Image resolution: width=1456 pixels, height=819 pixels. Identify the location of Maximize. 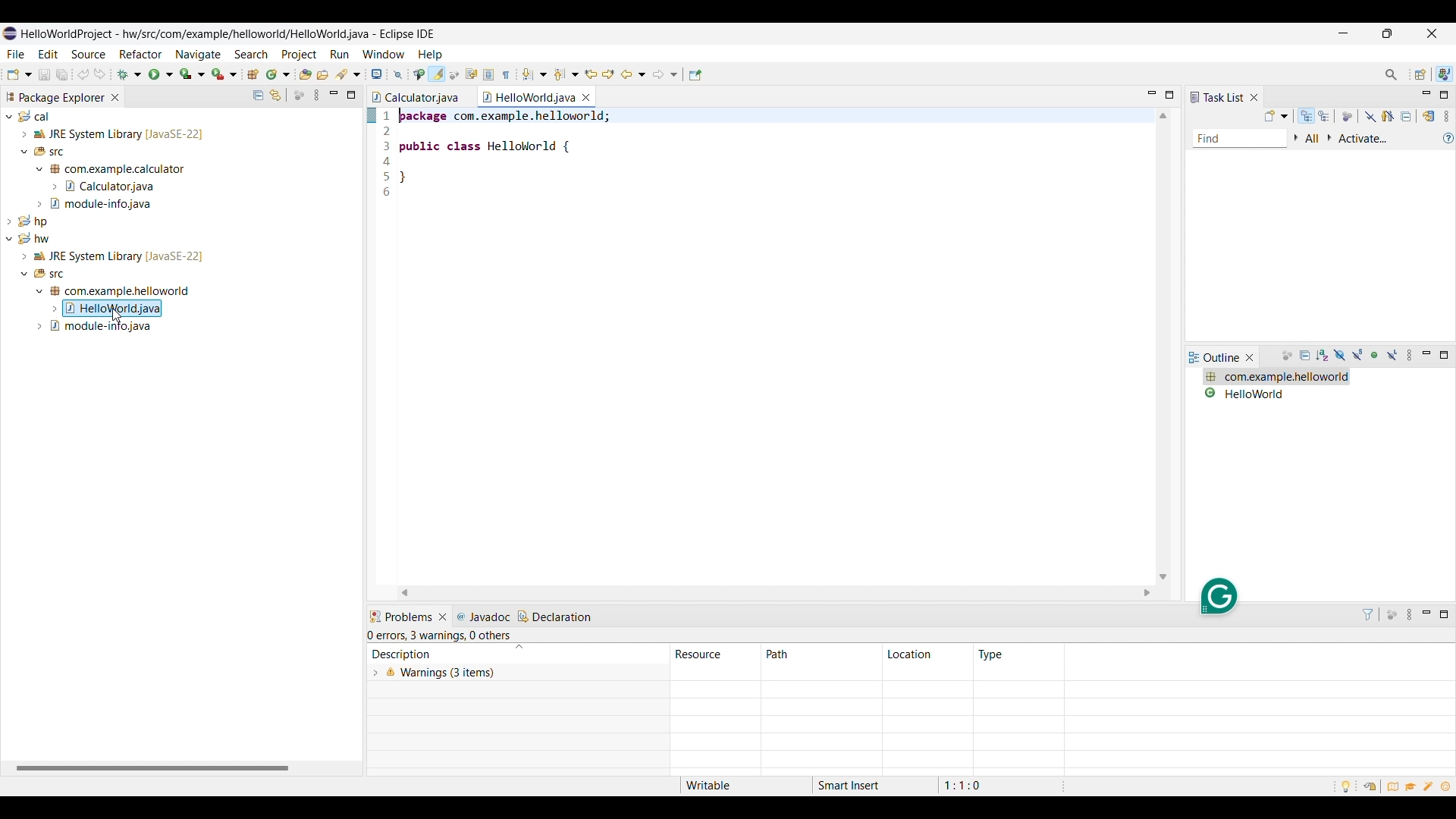
(1169, 95).